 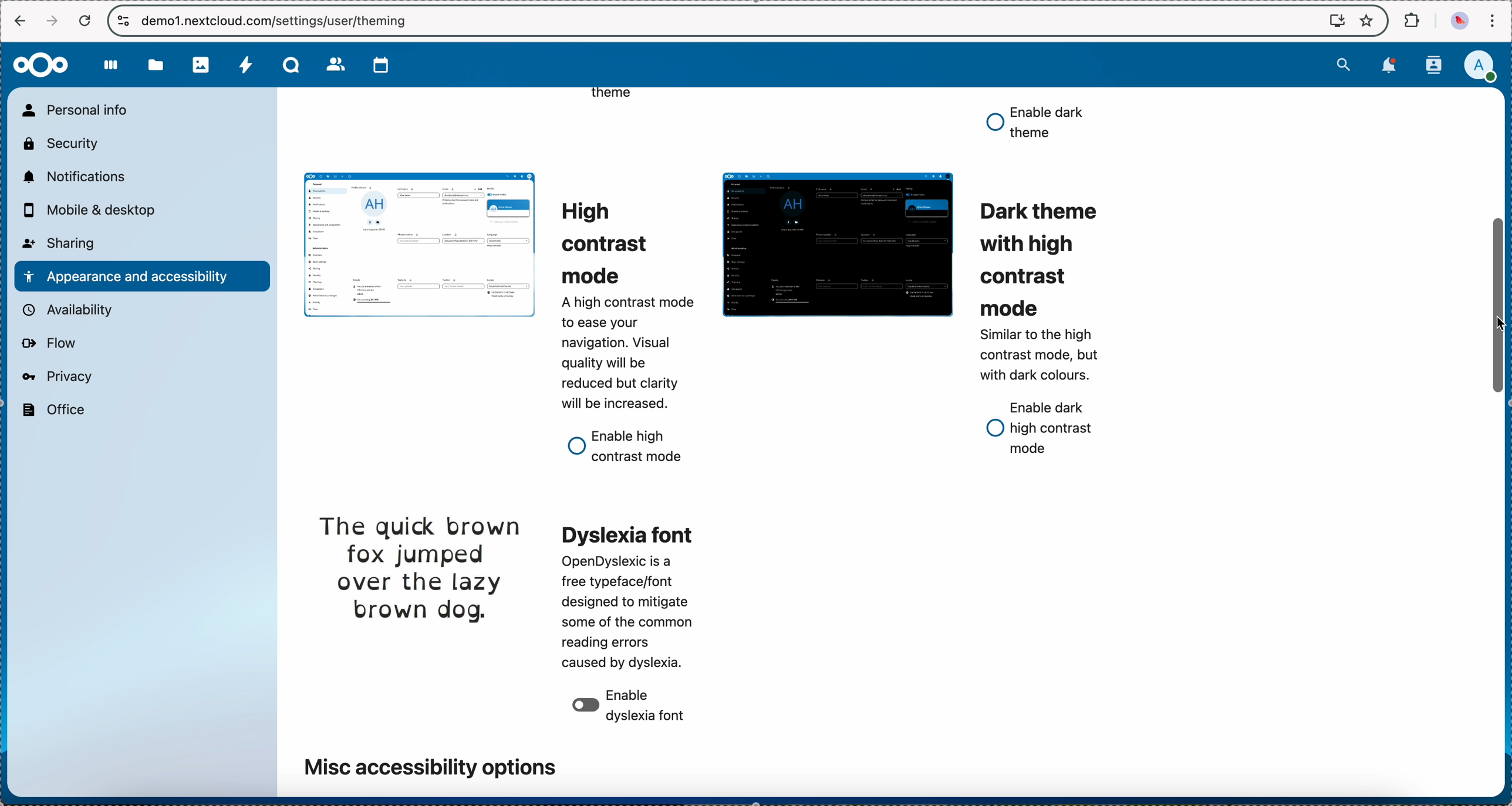 I want to click on description, so click(x=1042, y=353).